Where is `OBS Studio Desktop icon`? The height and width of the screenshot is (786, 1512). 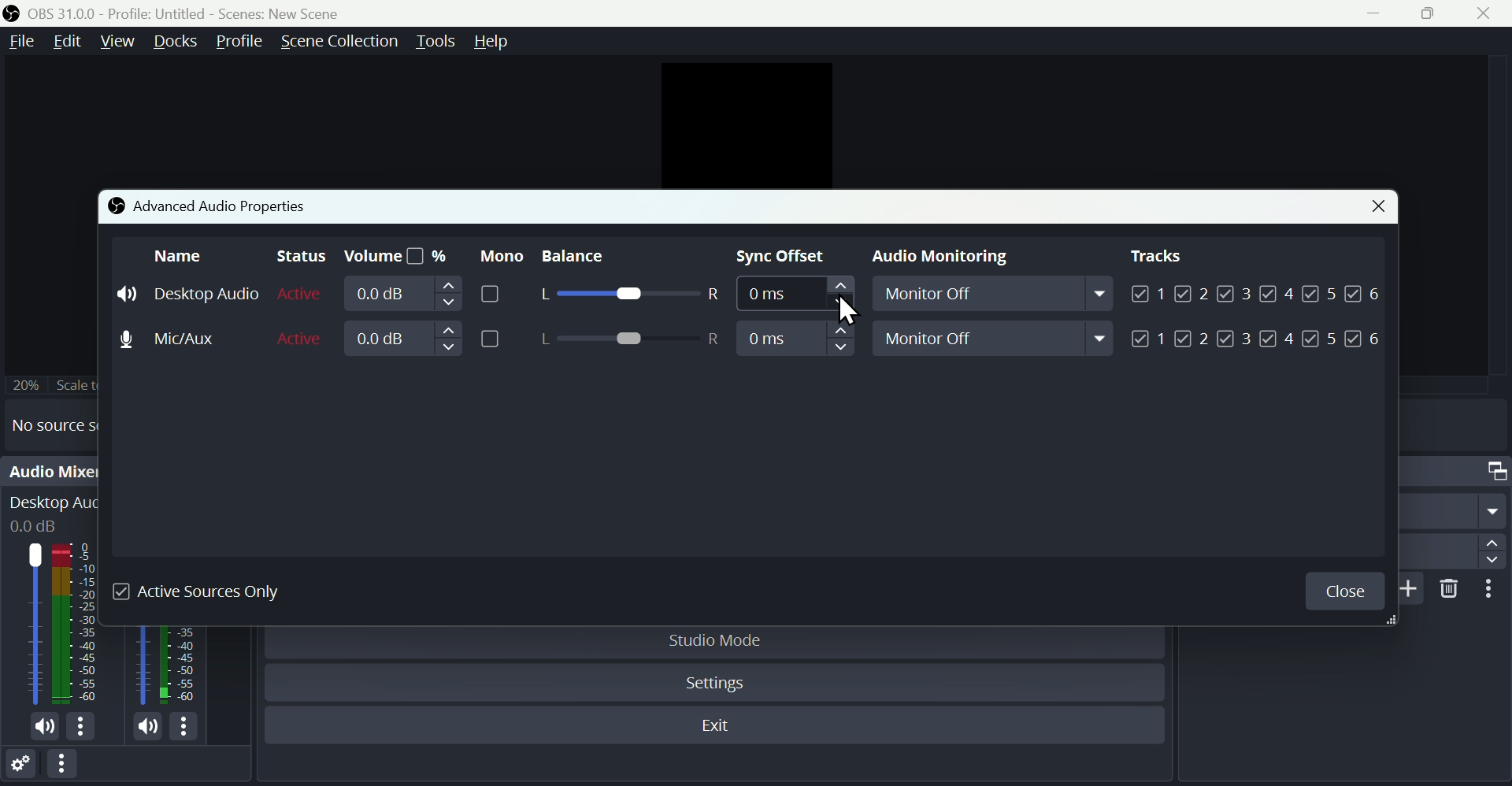
OBS Studio Desktop icon is located at coordinates (12, 13).